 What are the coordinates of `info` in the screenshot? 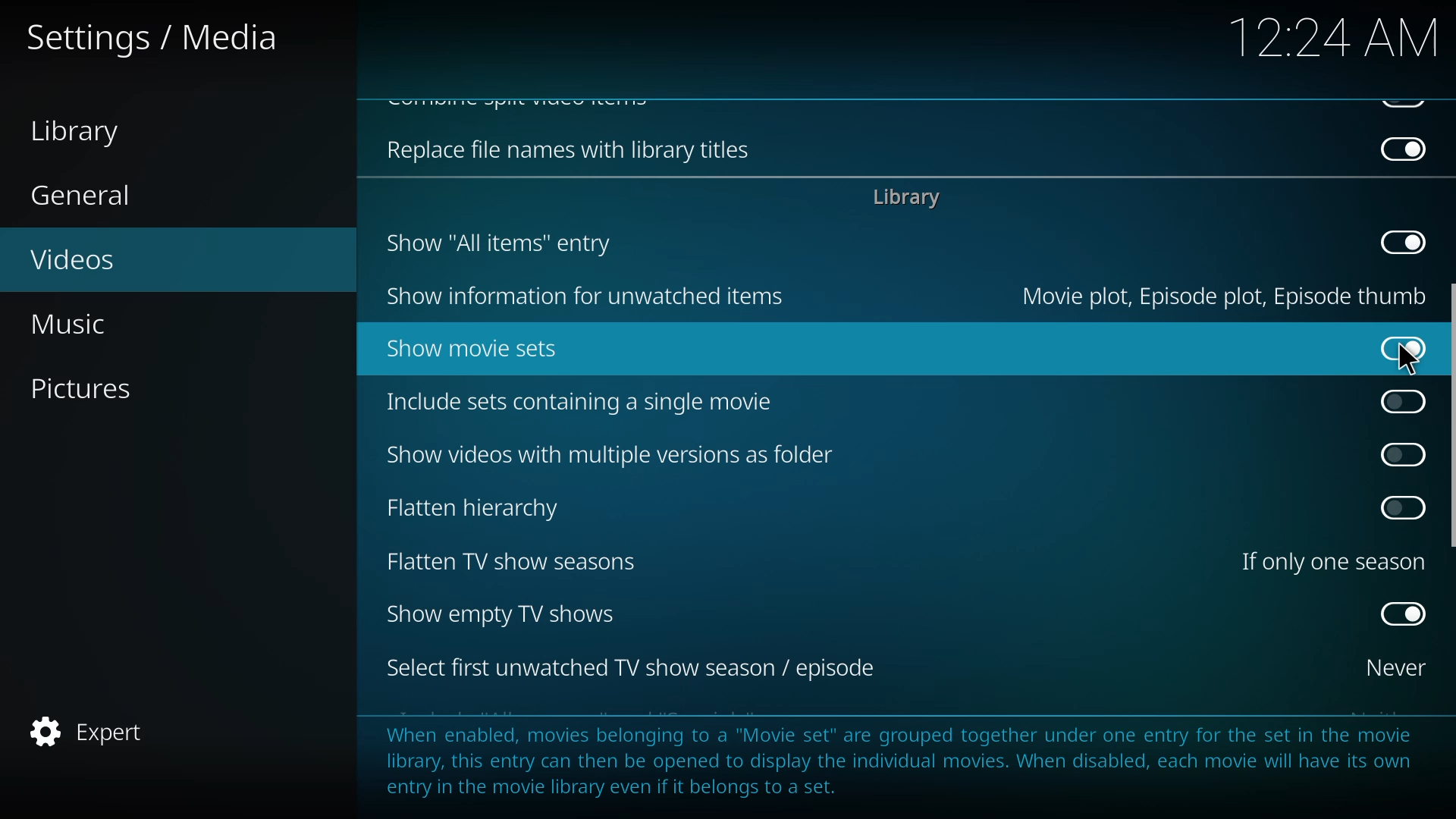 It's located at (910, 760).